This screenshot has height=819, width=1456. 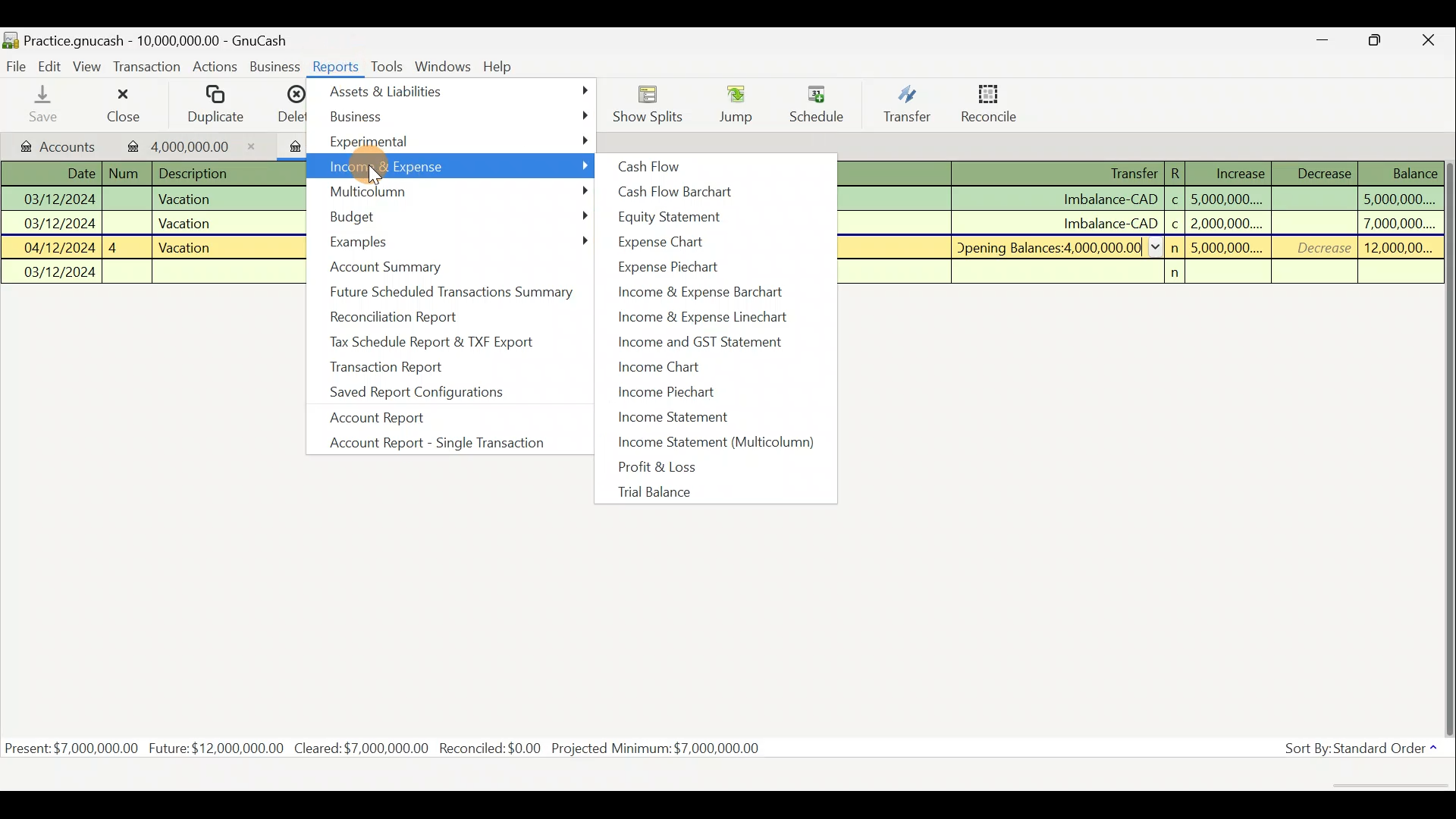 What do you see at coordinates (1228, 223) in the screenshot?
I see `2,000,000....` at bounding box center [1228, 223].